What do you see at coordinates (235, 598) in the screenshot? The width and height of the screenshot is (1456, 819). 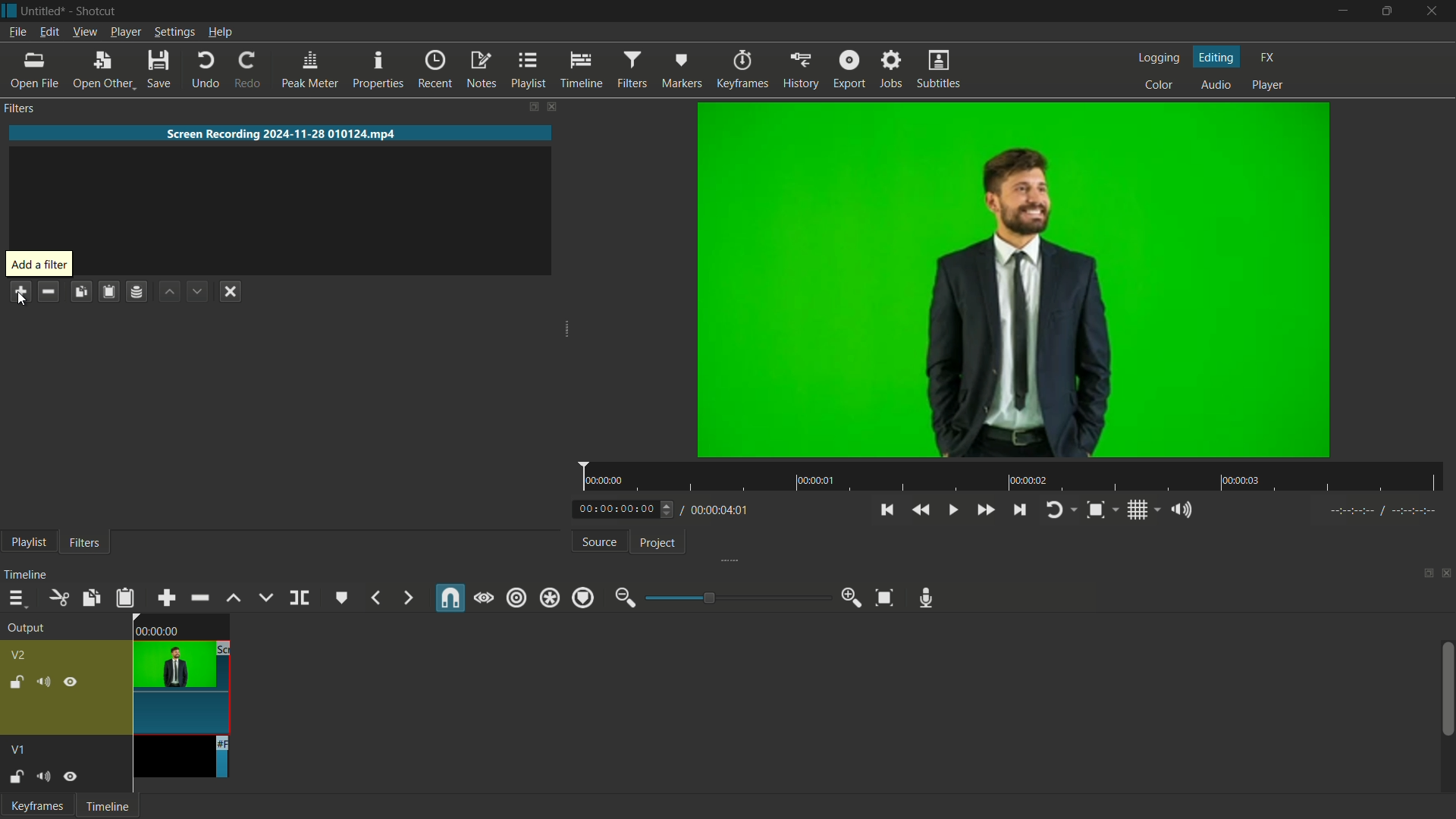 I see `lift` at bounding box center [235, 598].